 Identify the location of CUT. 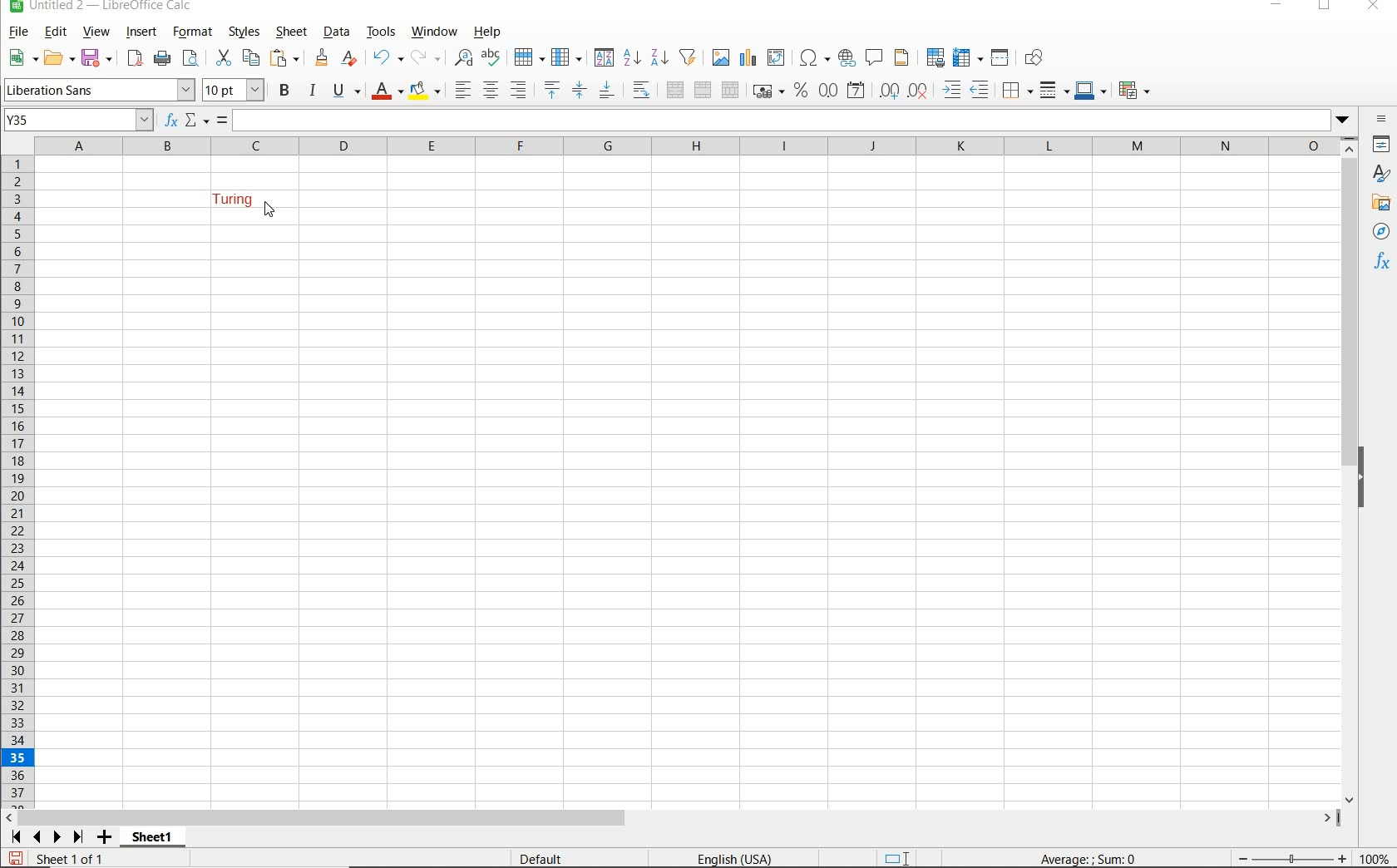
(223, 59).